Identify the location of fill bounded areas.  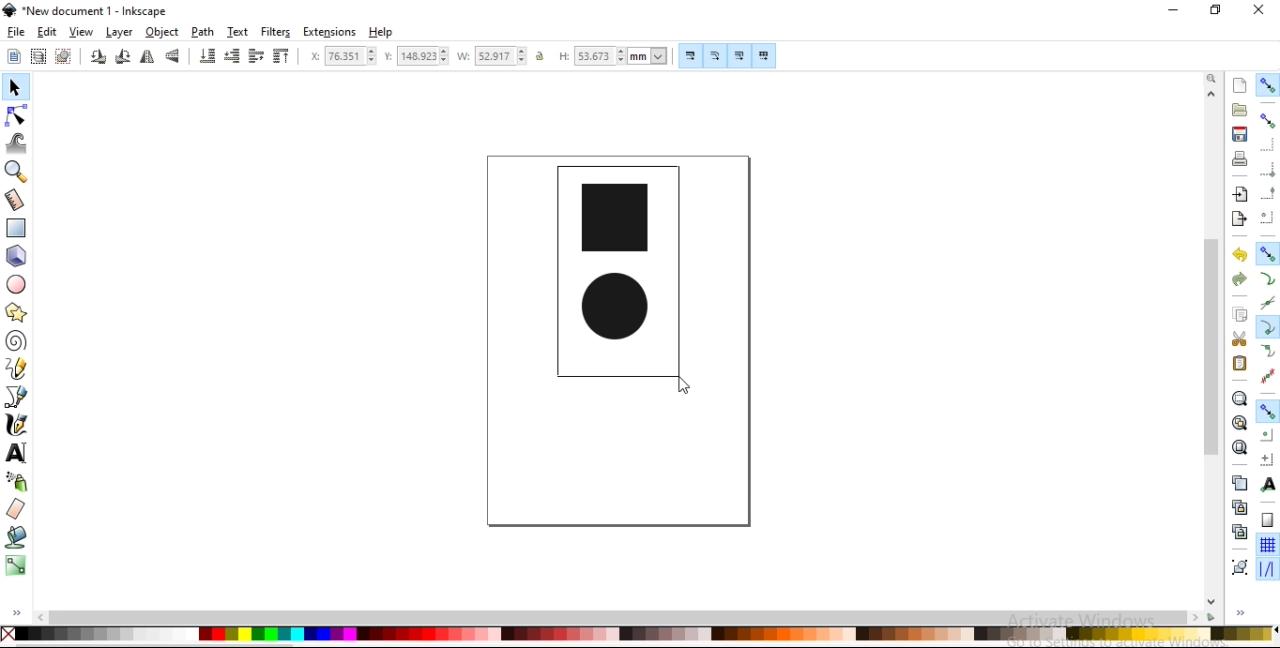
(17, 538).